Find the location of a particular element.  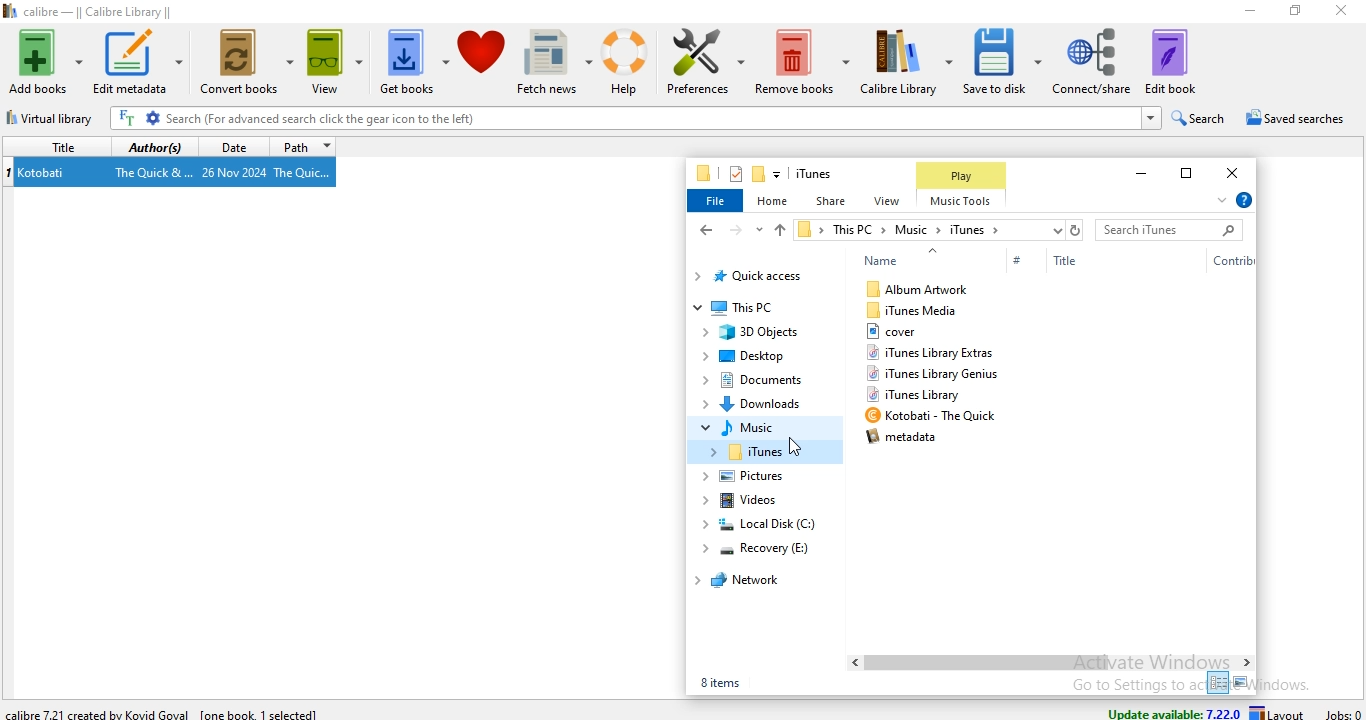

small icon view is located at coordinates (1217, 682).